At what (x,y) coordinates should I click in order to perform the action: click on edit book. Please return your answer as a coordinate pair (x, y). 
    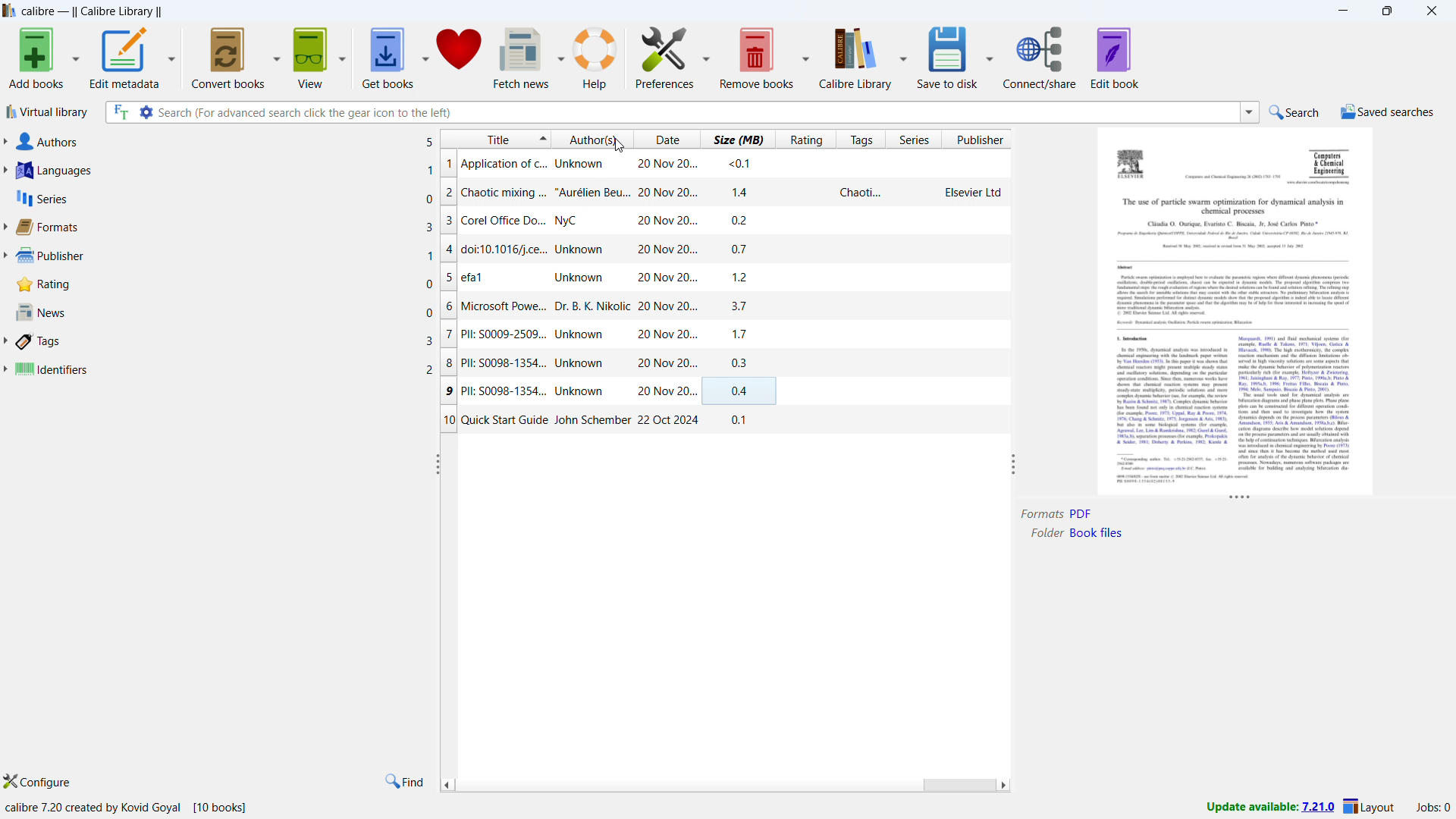
    Looking at the image, I should click on (1115, 58).